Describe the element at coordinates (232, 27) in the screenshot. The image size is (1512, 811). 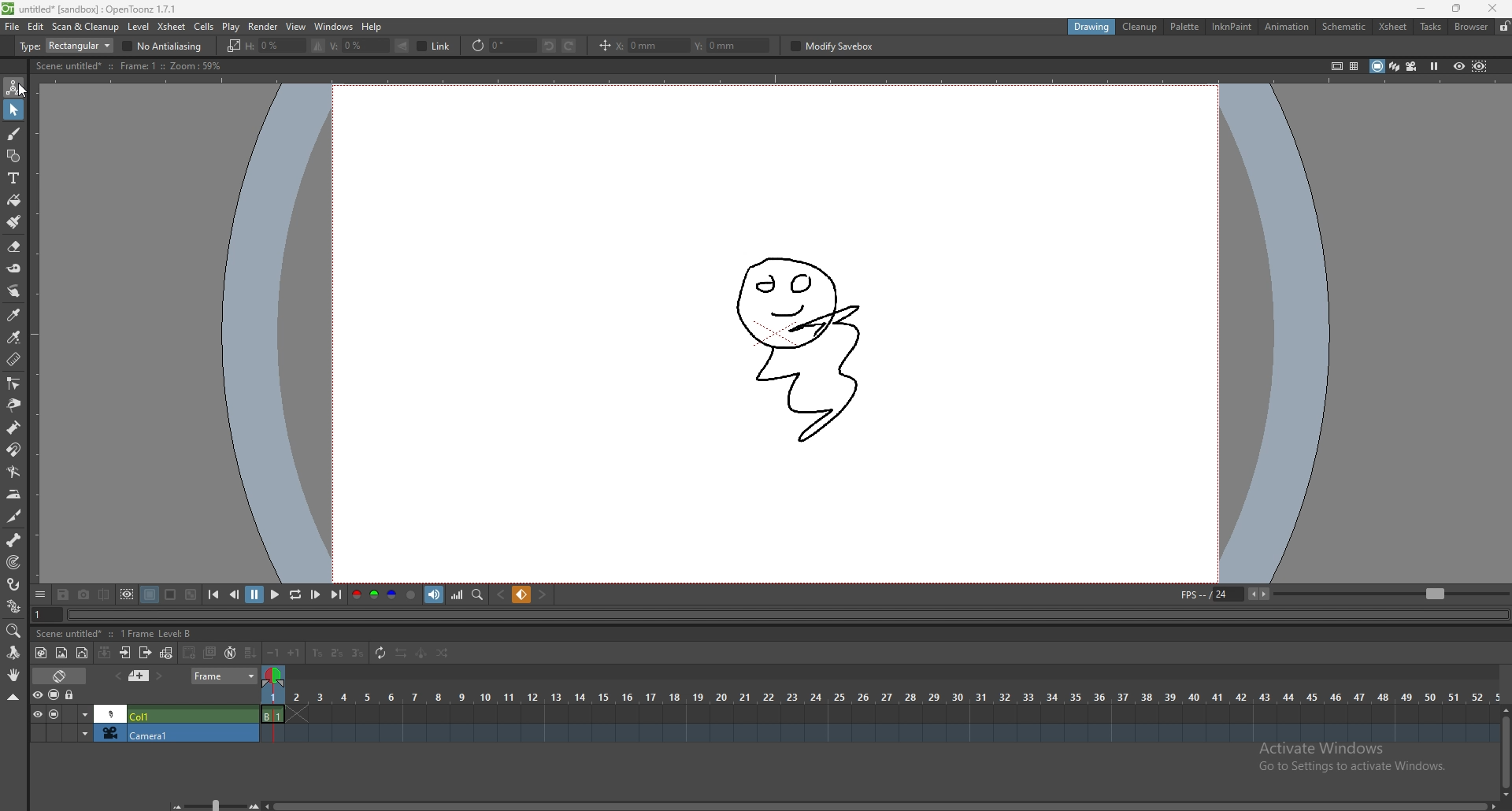
I see `play` at that location.